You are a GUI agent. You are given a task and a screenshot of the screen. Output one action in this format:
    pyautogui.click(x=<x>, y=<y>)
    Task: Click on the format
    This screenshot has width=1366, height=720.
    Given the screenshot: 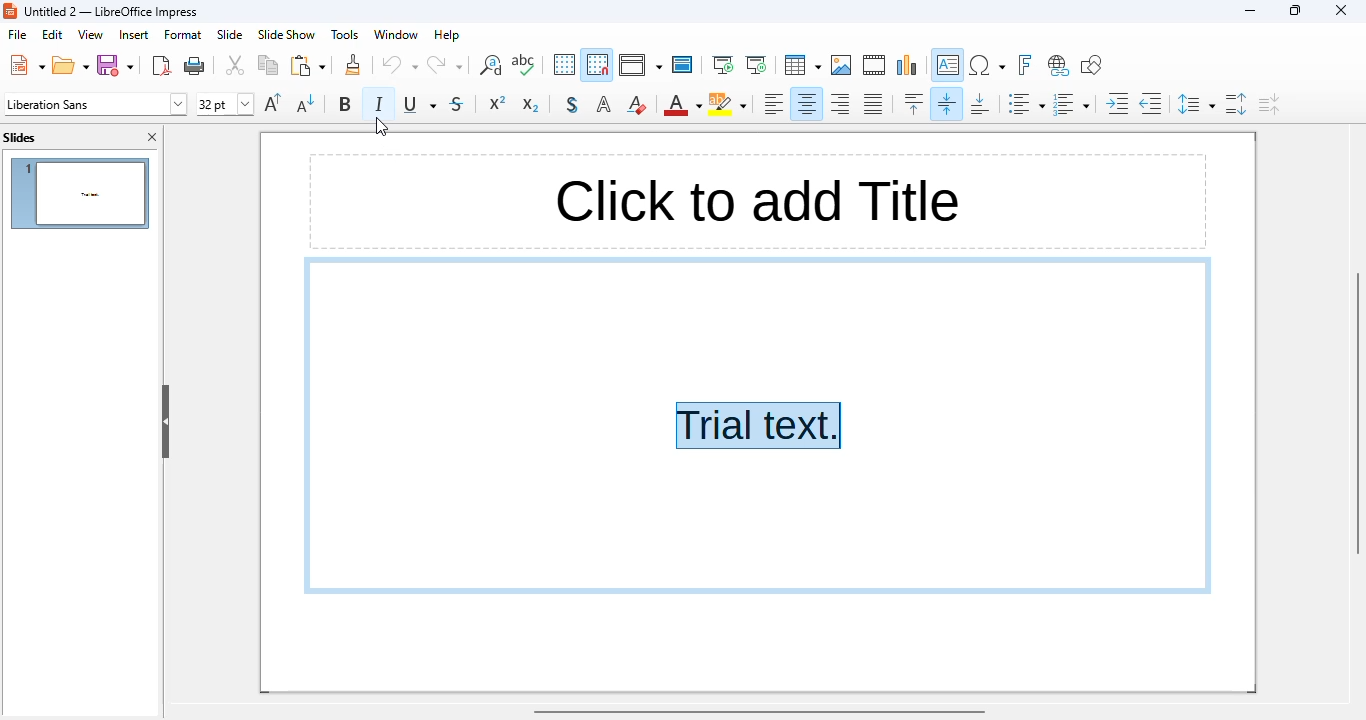 What is the action you would take?
    pyautogui.click(x=183, y=34)
    